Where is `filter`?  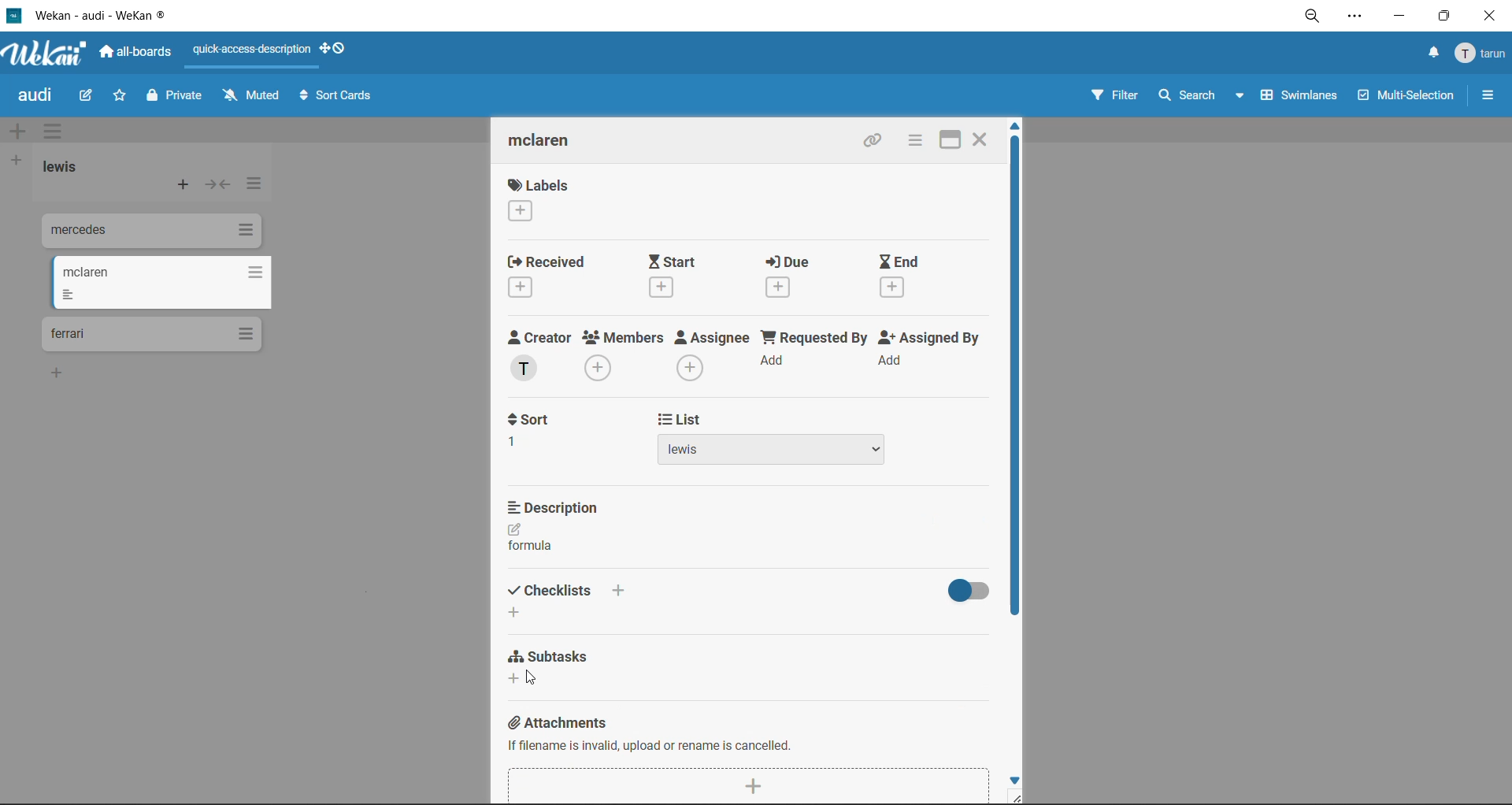 filter is located at coordinates (1114, 97).